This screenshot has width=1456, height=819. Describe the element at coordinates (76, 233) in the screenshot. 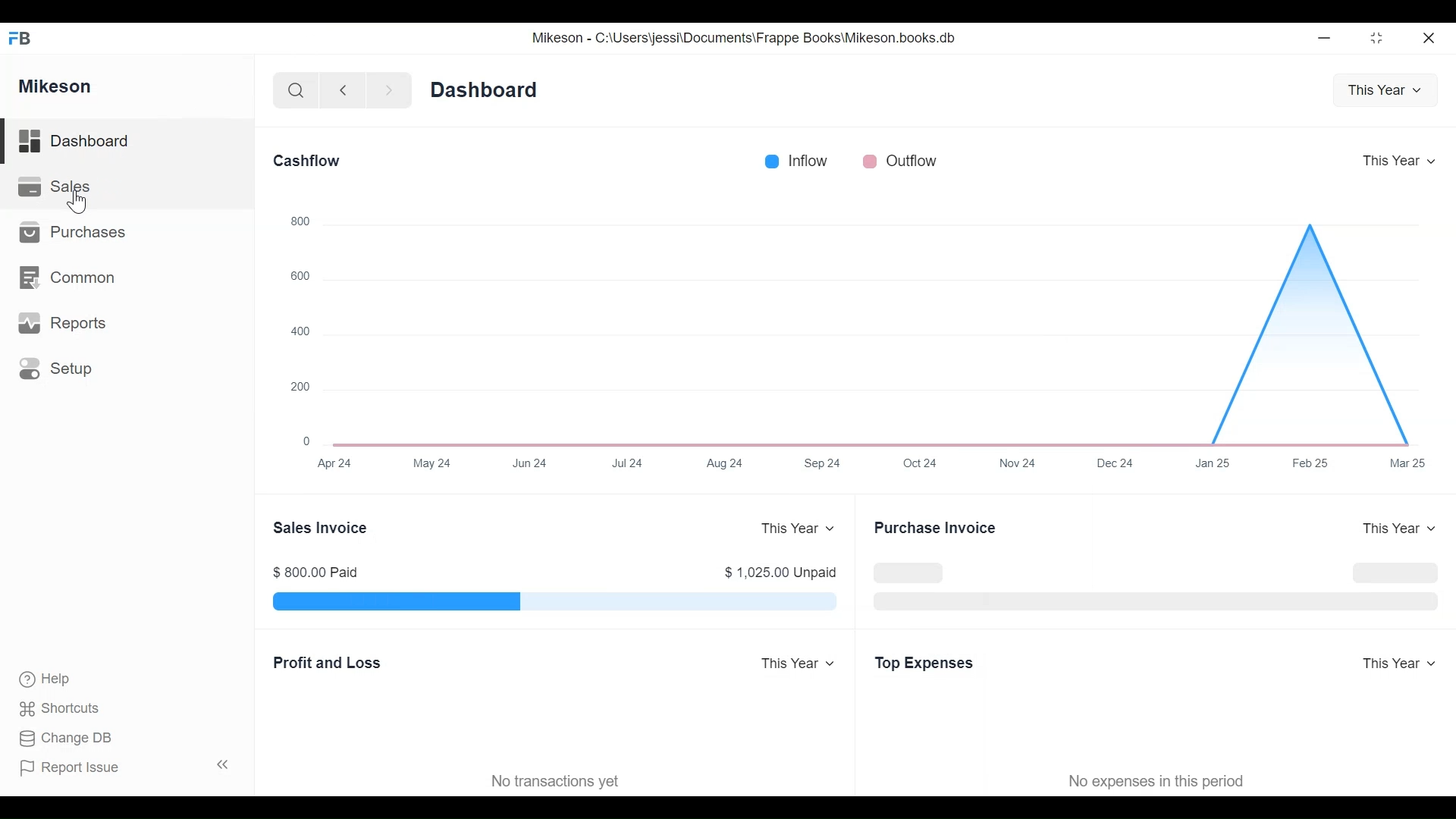

I see `Purchases` at that location.